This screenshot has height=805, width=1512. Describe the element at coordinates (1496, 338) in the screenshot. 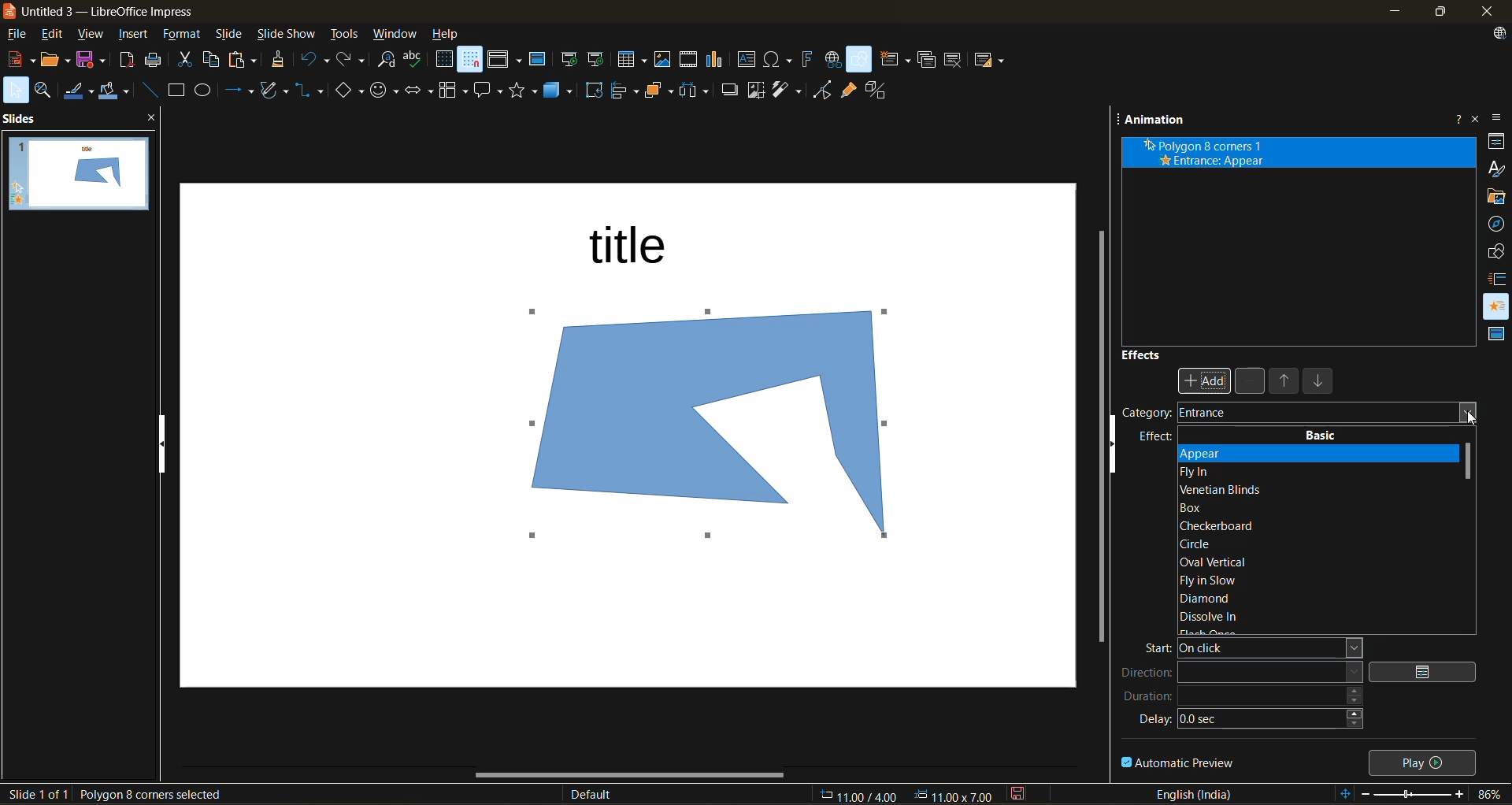

I see `master slides` at that location.